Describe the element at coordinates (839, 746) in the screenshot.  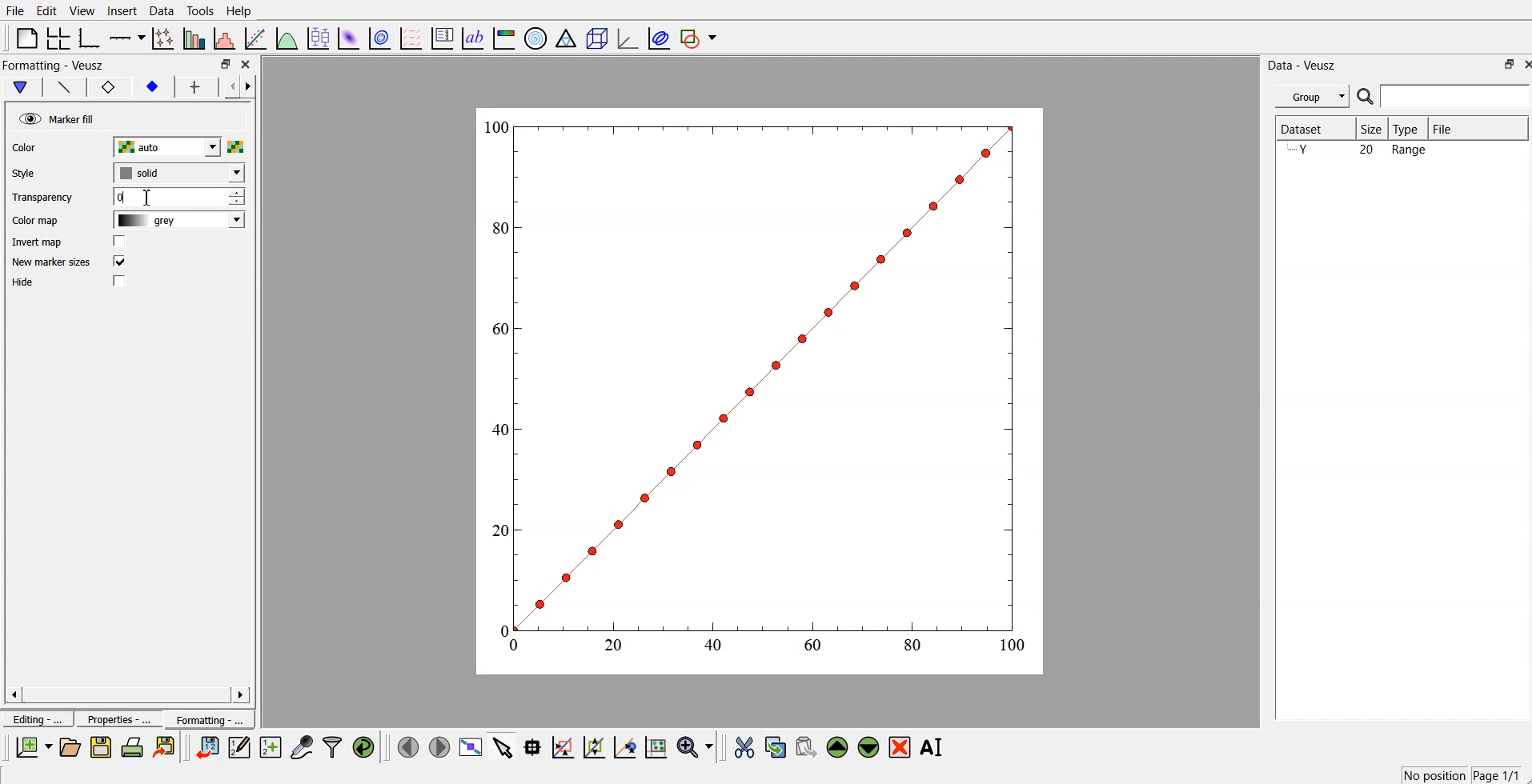
I see `move up` at that location.